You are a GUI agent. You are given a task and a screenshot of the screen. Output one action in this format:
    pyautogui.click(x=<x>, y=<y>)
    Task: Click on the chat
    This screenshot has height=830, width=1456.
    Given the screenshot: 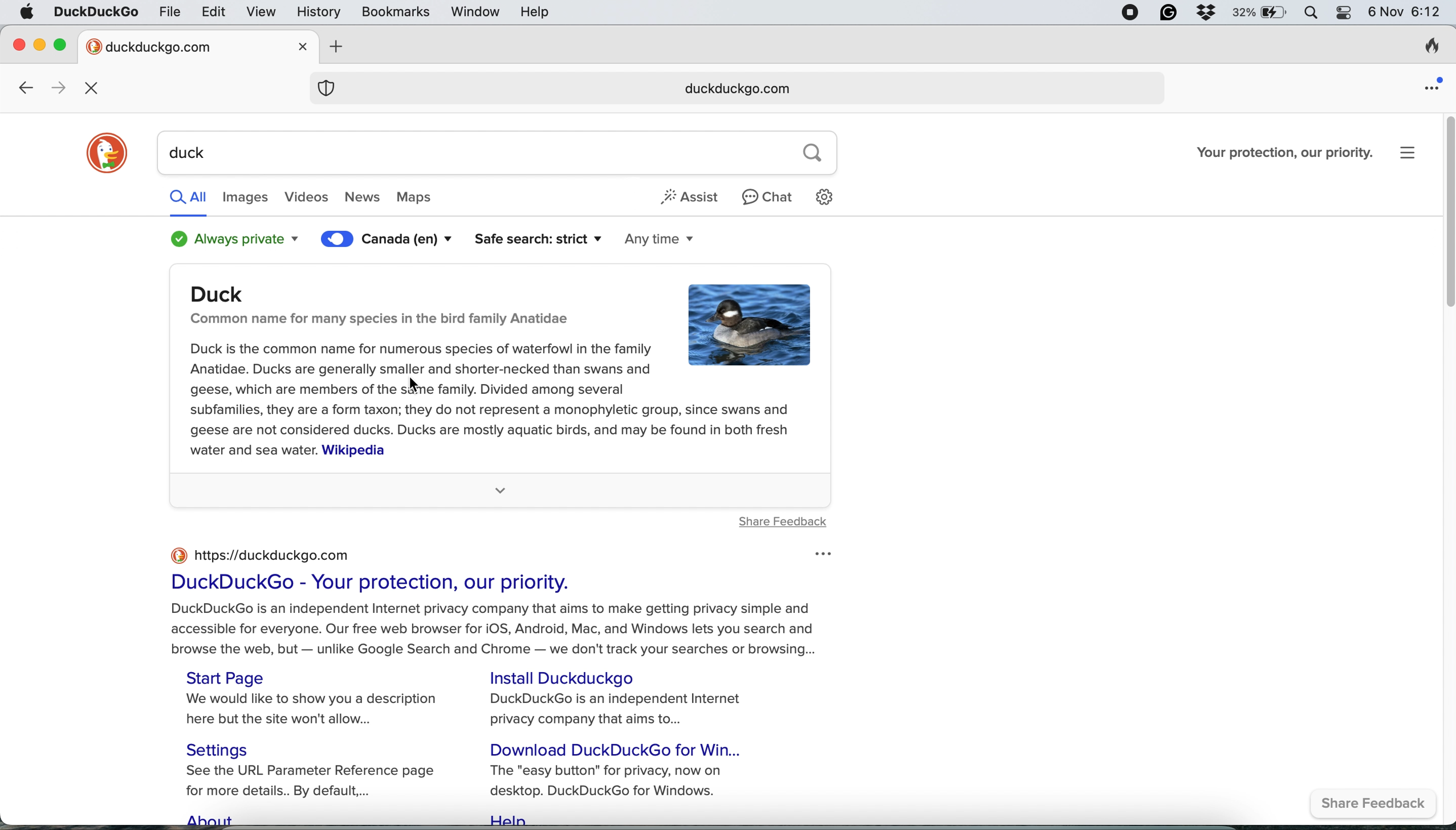 What is the action you would take?
    pyautogui.click(x=768, y=196)
    